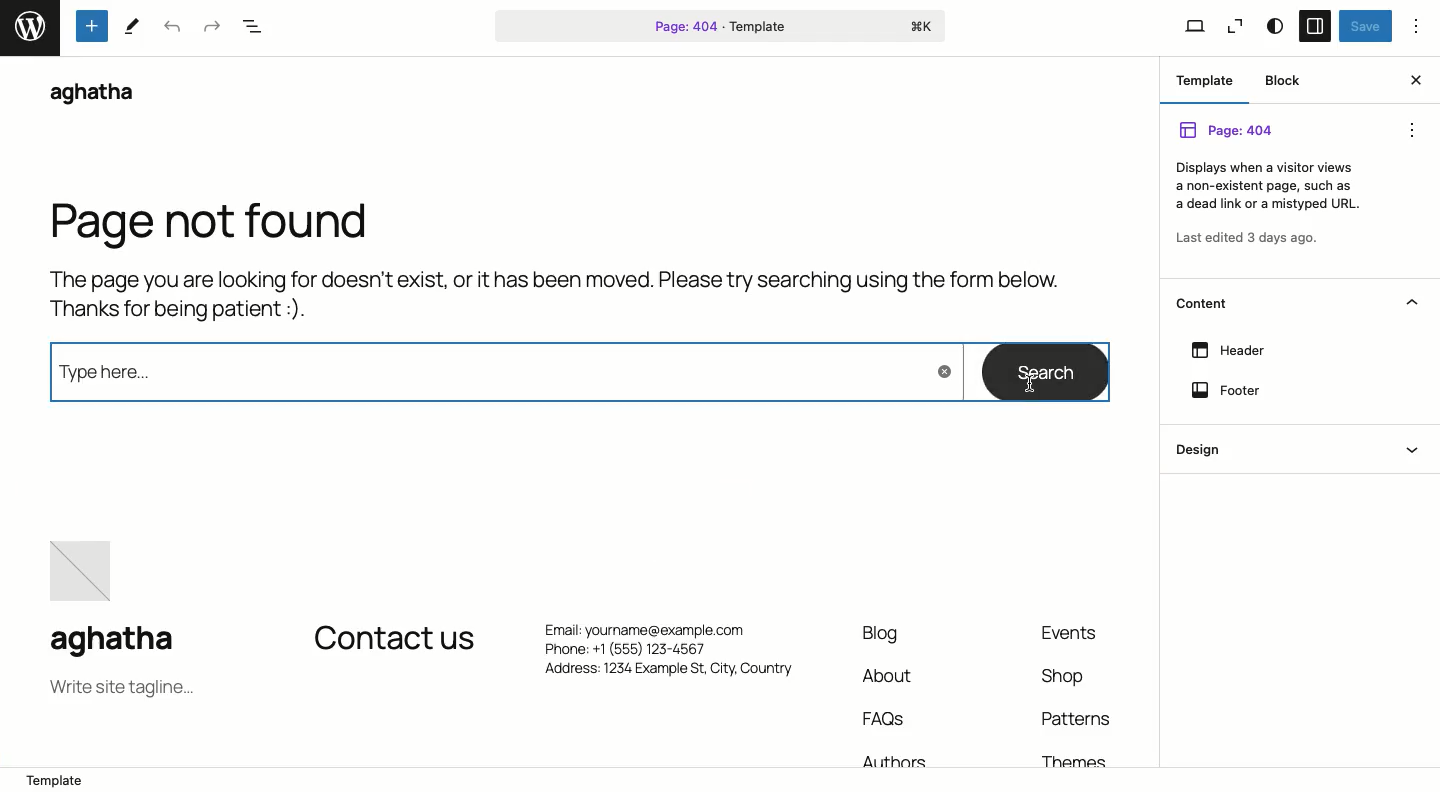  I want to click on Email: yourname@example.com, so click(658, 626).